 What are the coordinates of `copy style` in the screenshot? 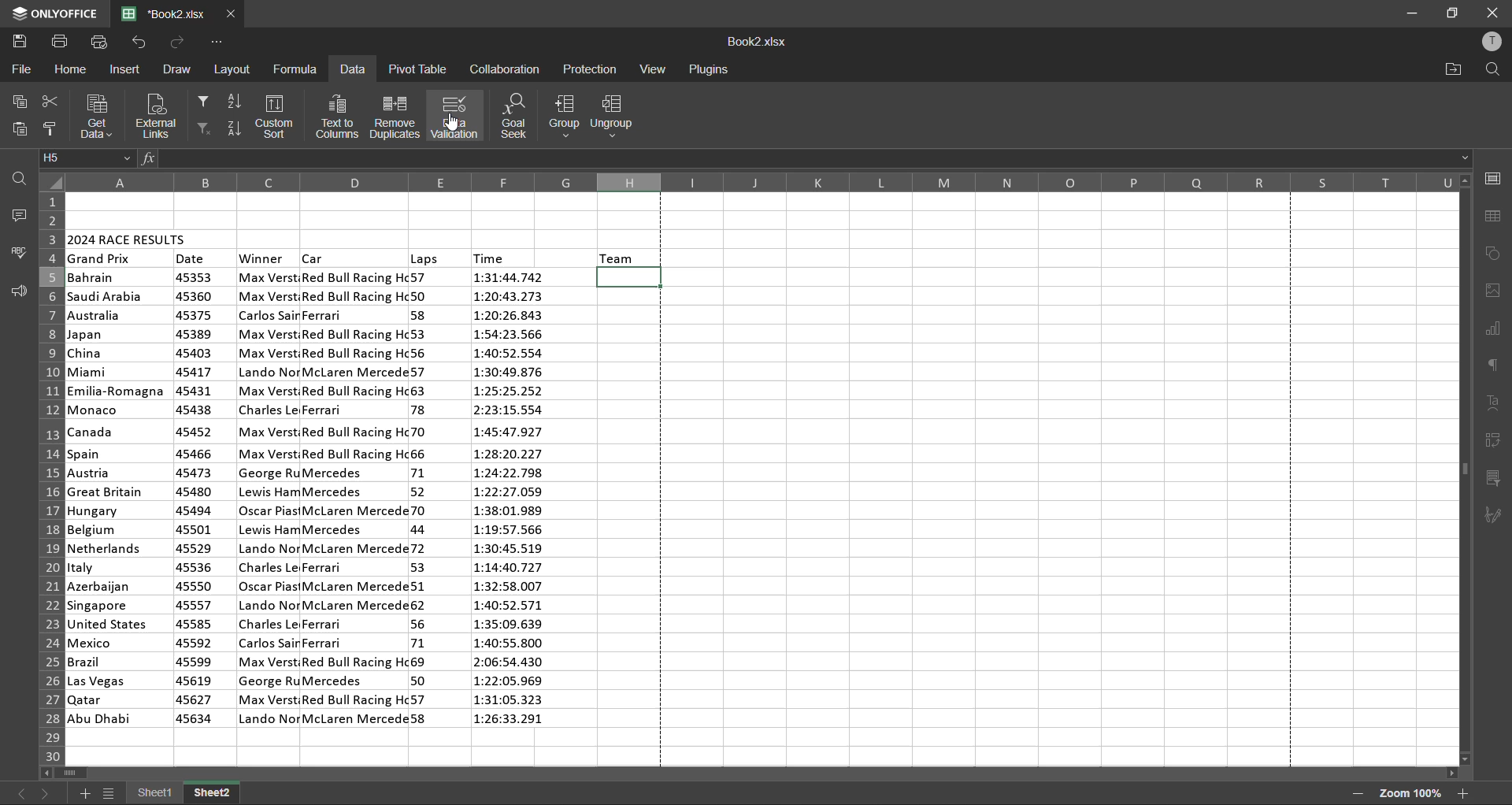 It's located at (53, 129).